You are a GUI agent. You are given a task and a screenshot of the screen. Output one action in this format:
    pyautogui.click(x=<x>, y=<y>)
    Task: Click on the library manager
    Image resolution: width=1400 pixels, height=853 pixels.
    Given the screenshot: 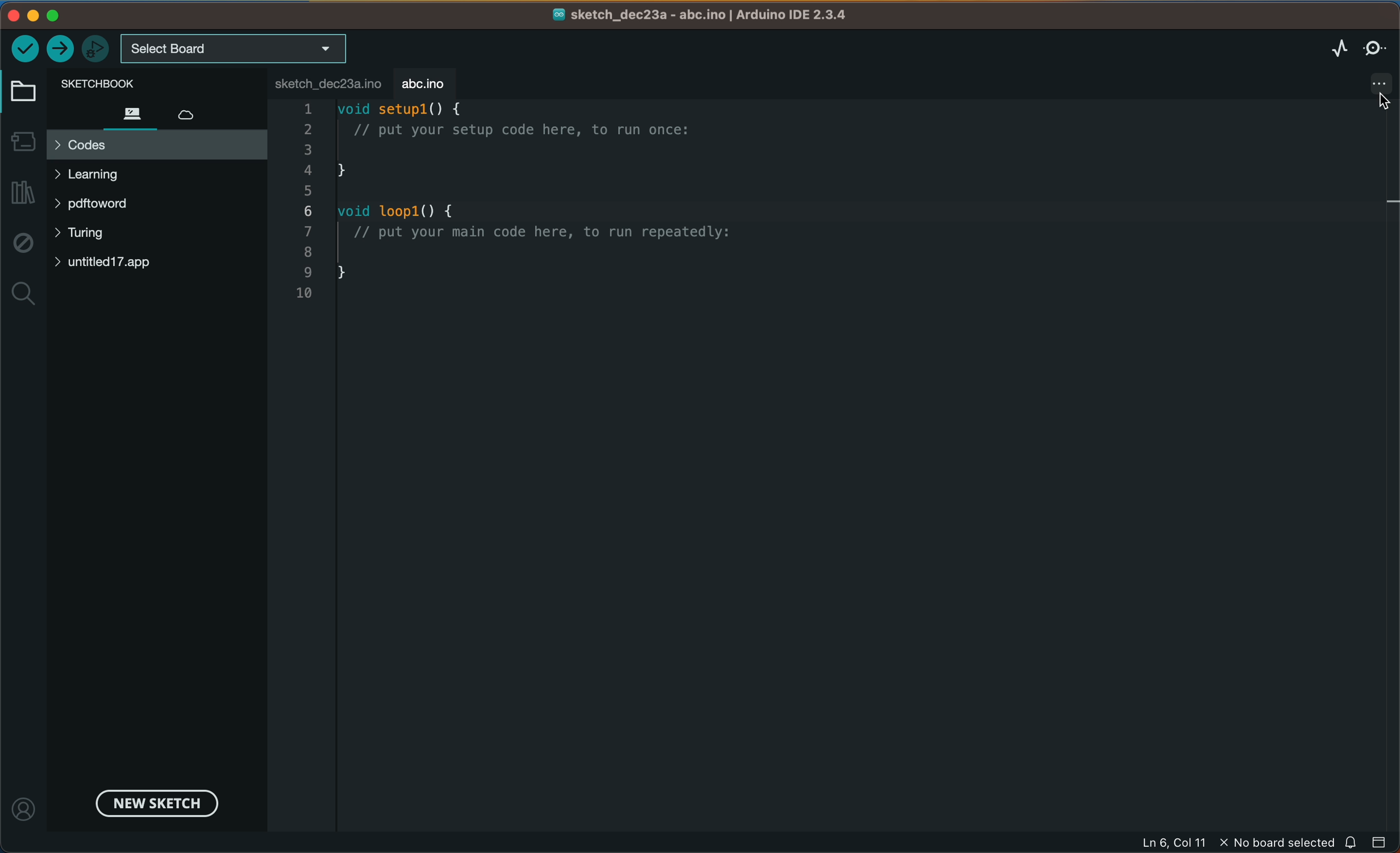 What is the action you would take?
    pyautogui.click(x=22, y=192)
    